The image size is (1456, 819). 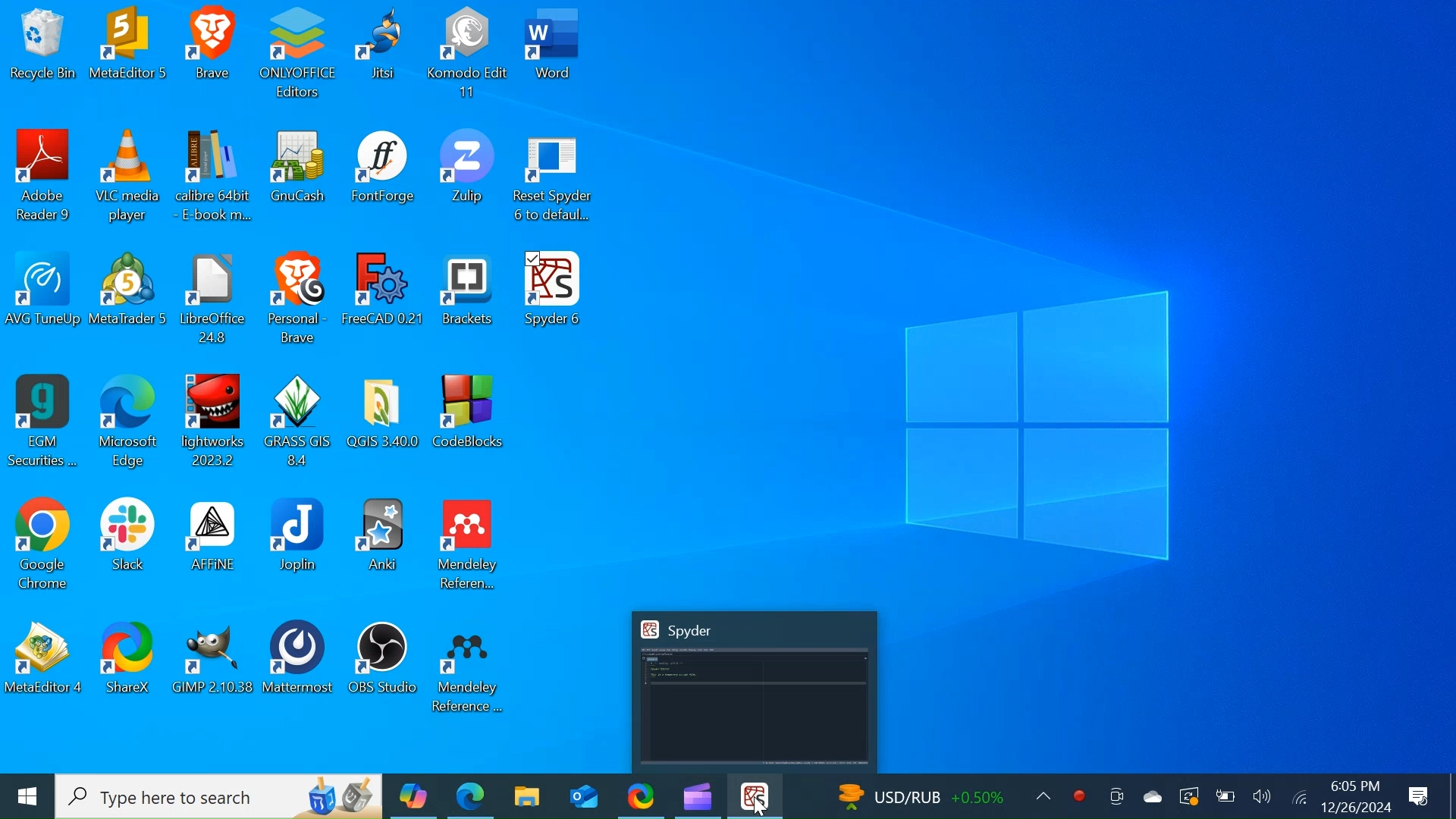 What do you see at coordinates (384, 179) in the screenshot?
I see `FontForge Desktop Icon` at bounding box center [384, 179].